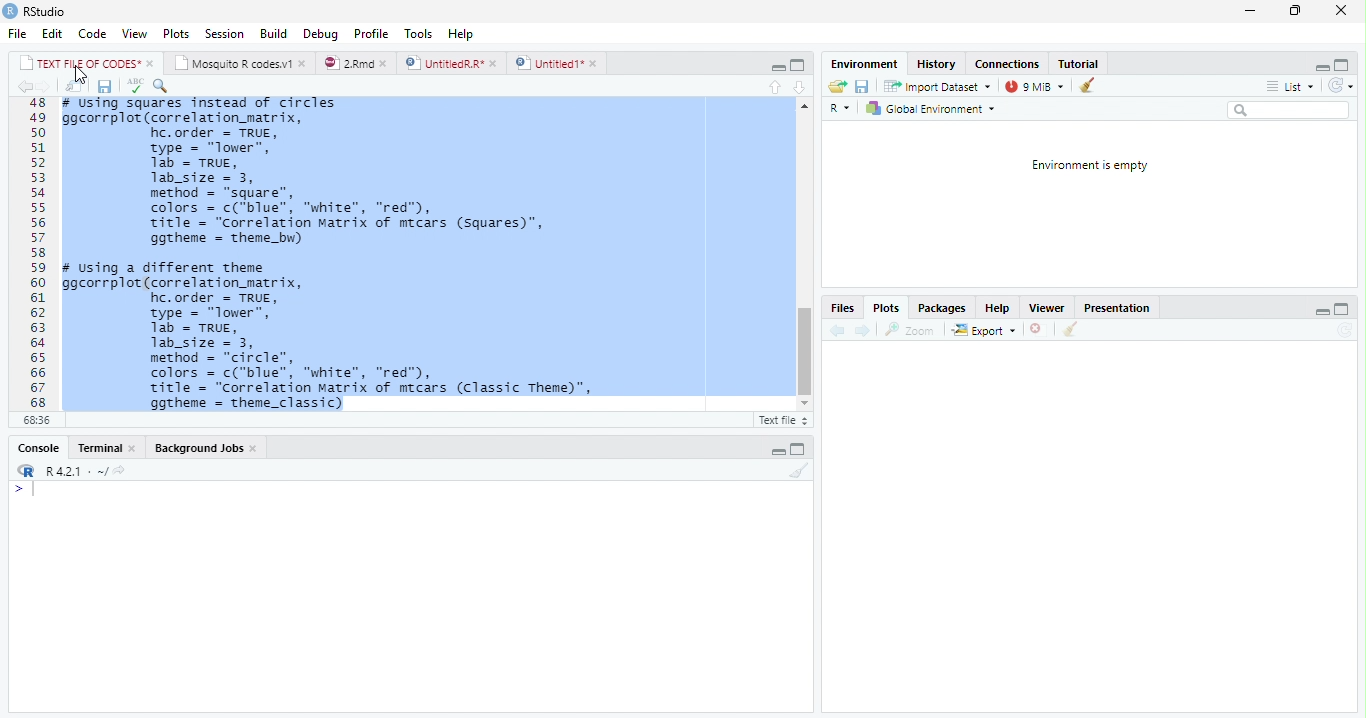 This screenshot has height=718, width=1366. Describe the element at coordinates (86, 471) in the screenshot. I see `R421 - ~/` at that location.